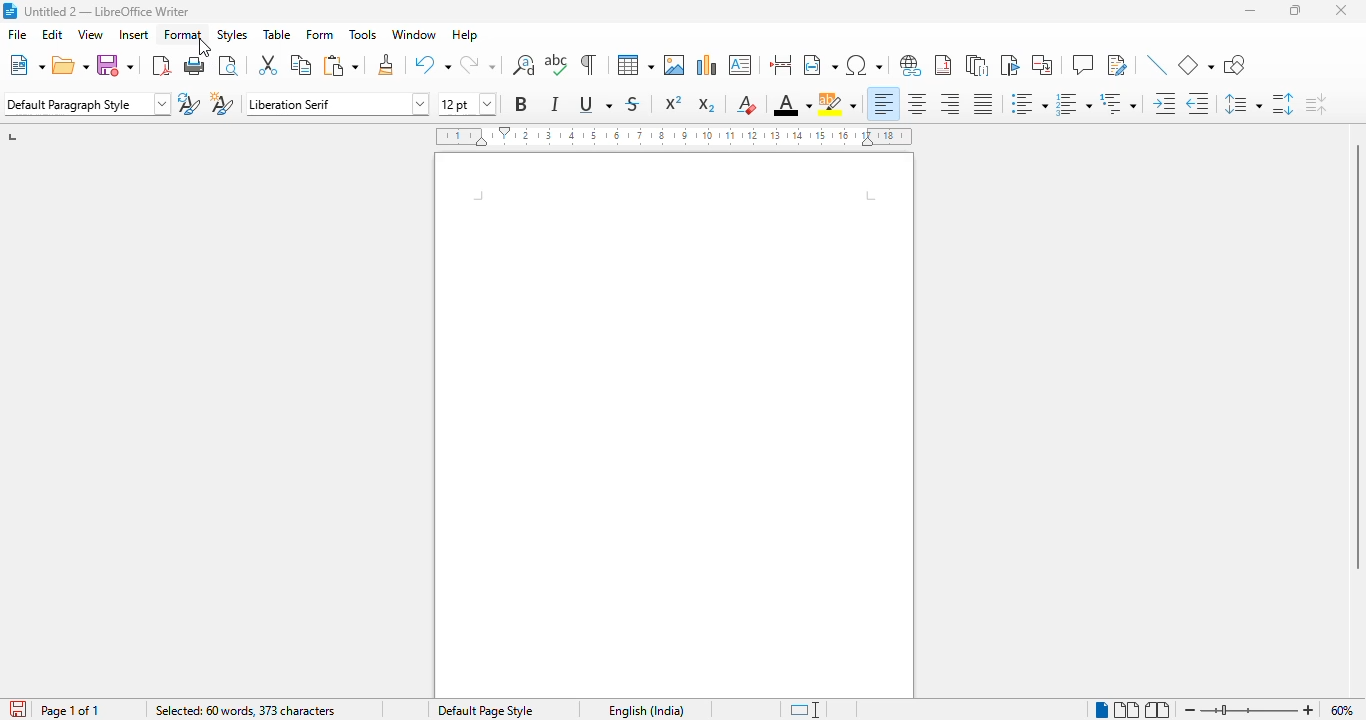 This screenshot has width=1366, height=720. What do you see at coordinates (1241, 104) in the screenshot?
I see `set line spacing` at bounding box center [1241, 104].